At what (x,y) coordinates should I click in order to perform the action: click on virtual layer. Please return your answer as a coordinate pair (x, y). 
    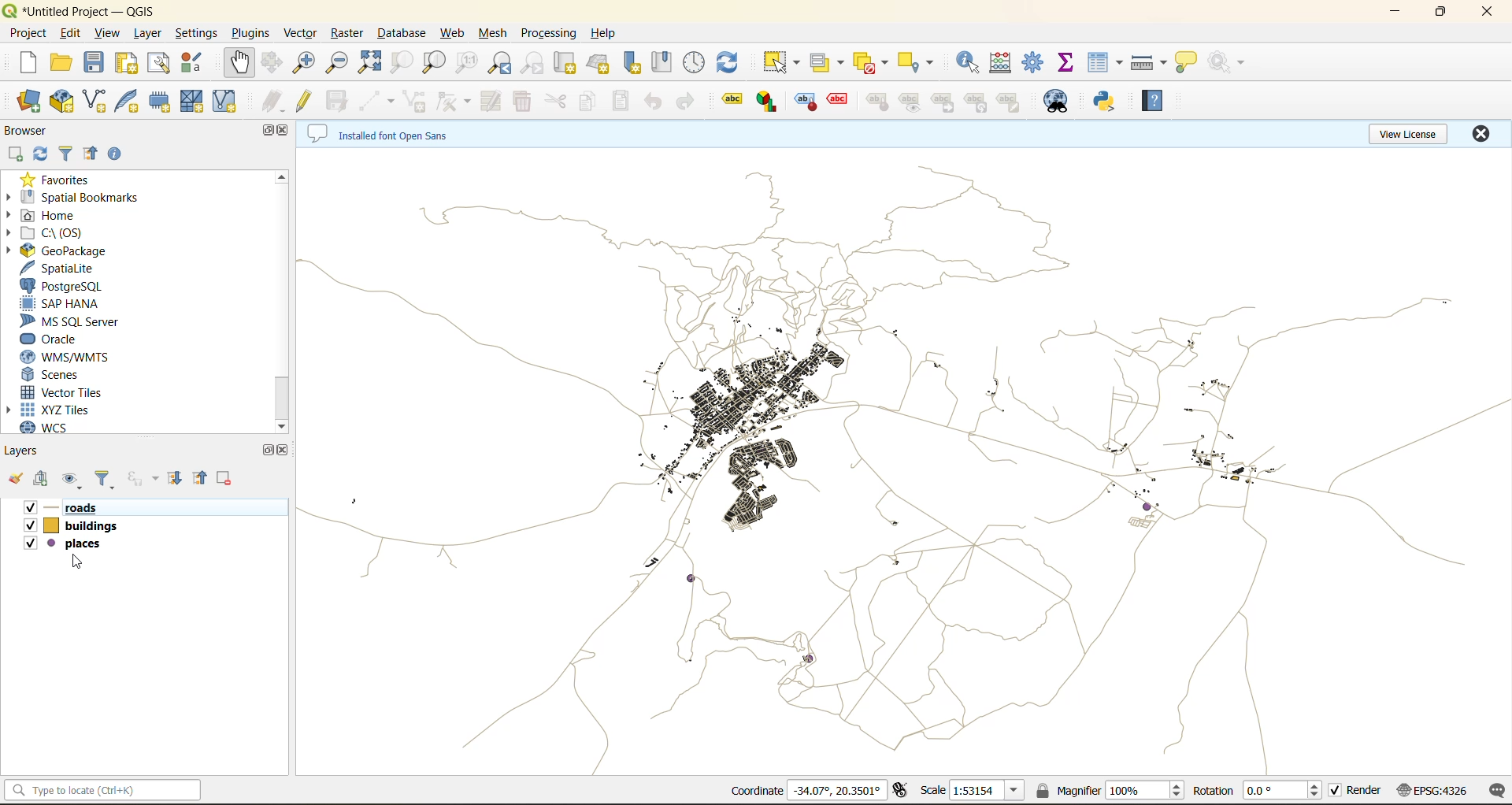
    Looking at the image, I should click on (232, 102).